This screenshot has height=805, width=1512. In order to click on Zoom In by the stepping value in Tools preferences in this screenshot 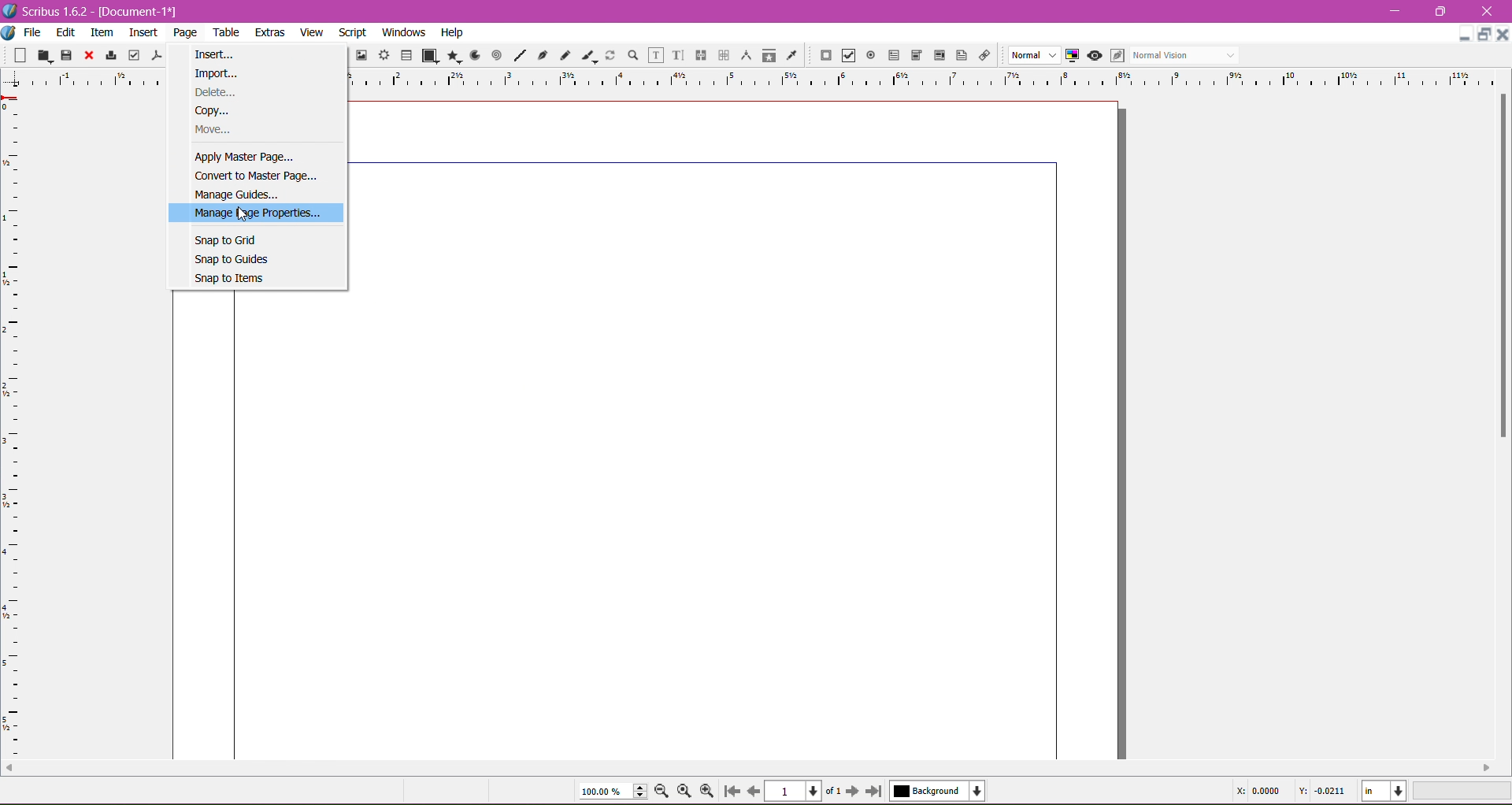, I will do `click(706, 789)`.